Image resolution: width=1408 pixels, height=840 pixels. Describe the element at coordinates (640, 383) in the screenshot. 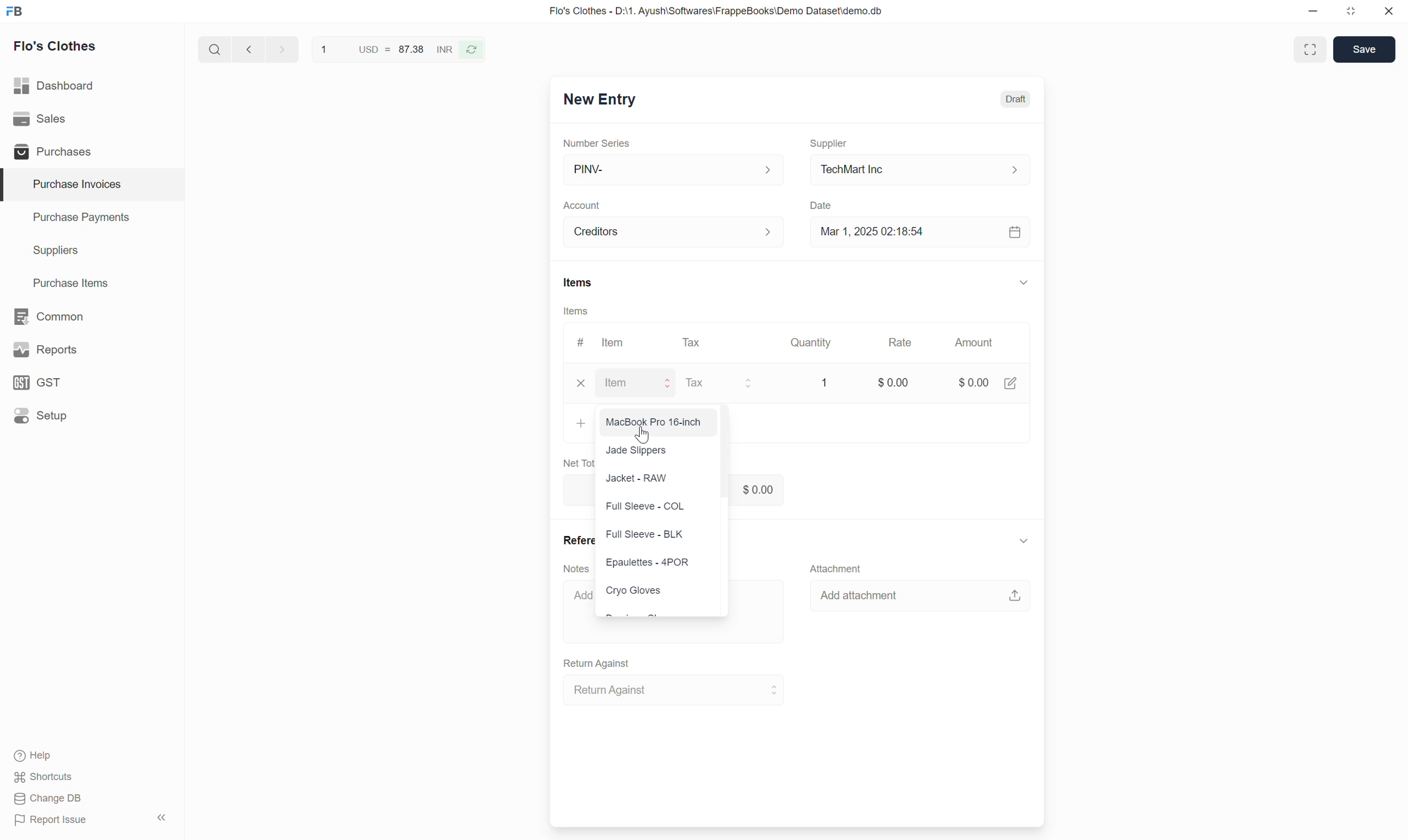

I see `item` at that location.